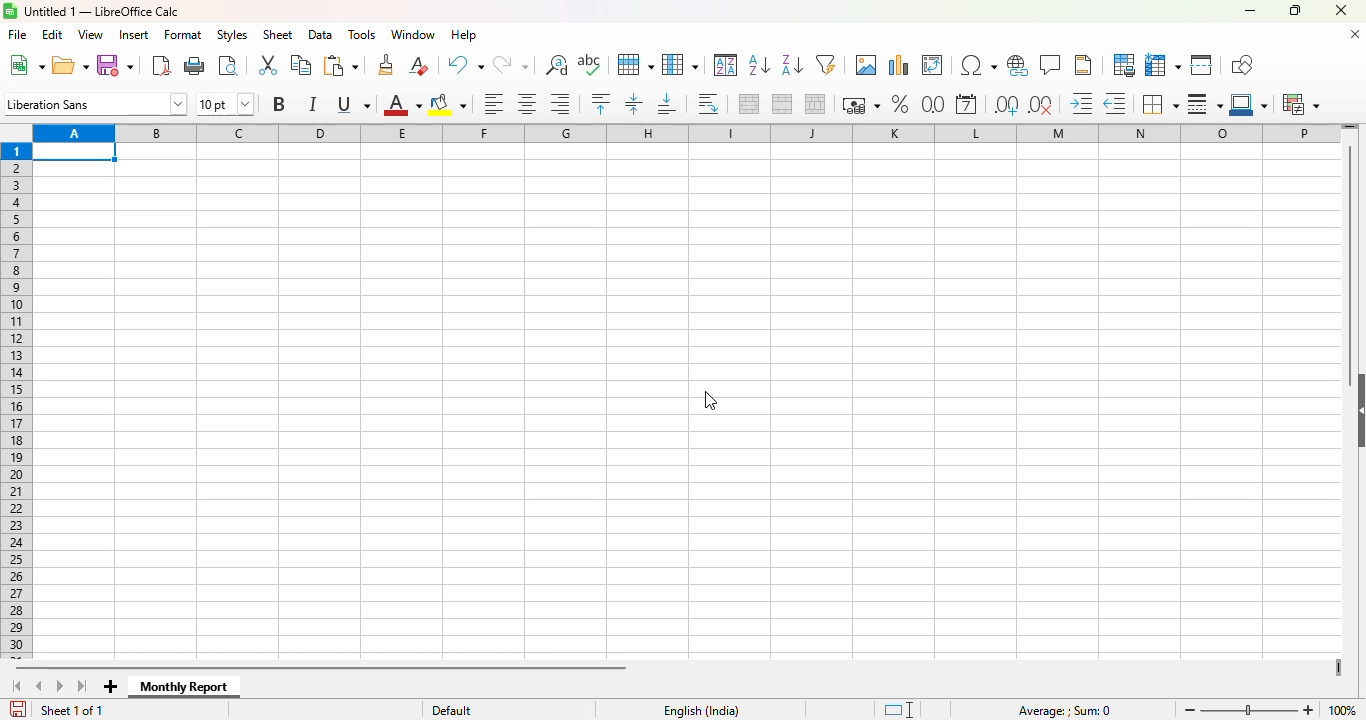 The width and height of the screenshot is (1366, 720). I want to click on align bottom, so click(668, 104).